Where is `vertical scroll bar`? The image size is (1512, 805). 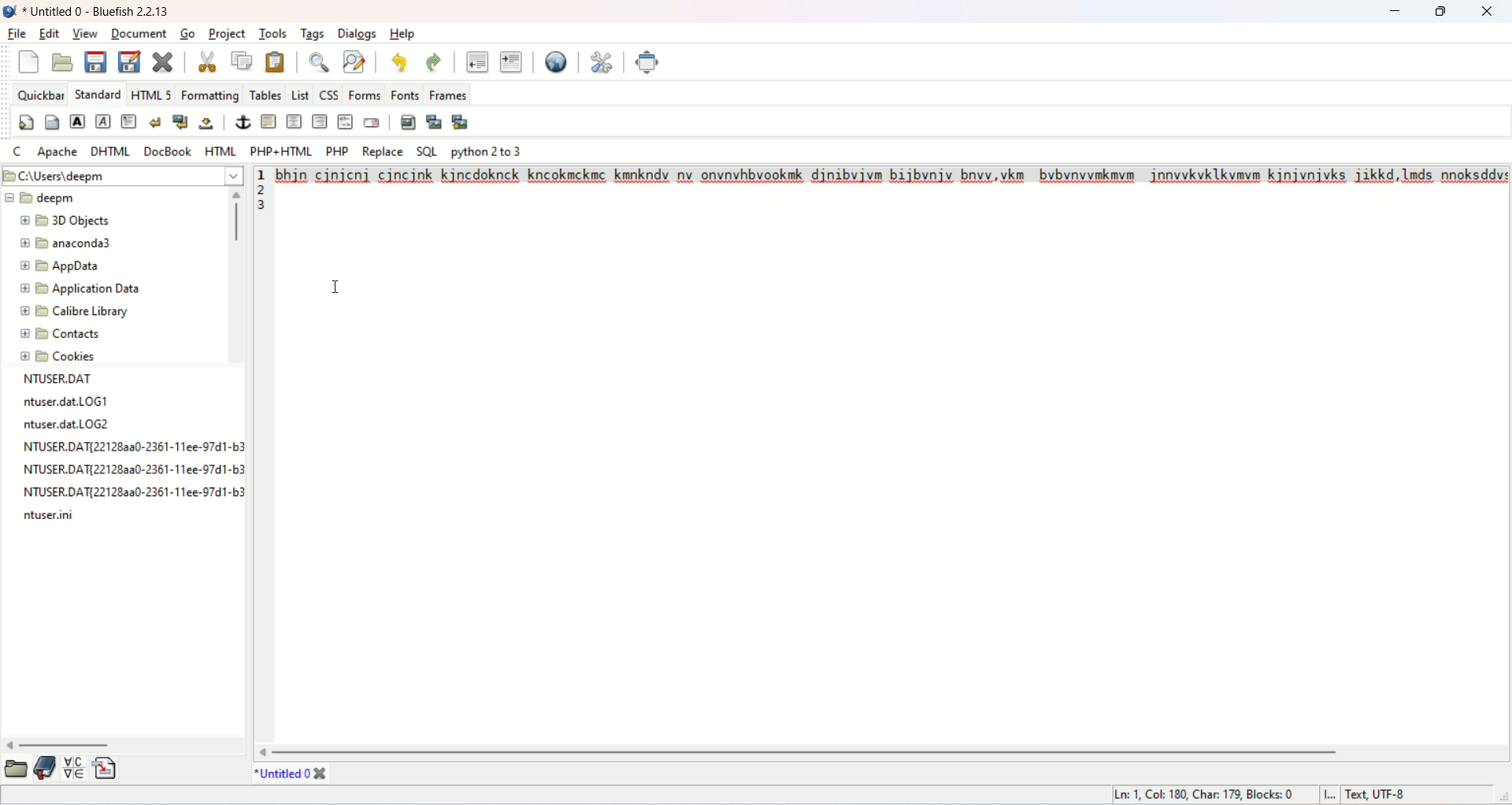 vertical scroll bar is located at coordinates (234, 276).